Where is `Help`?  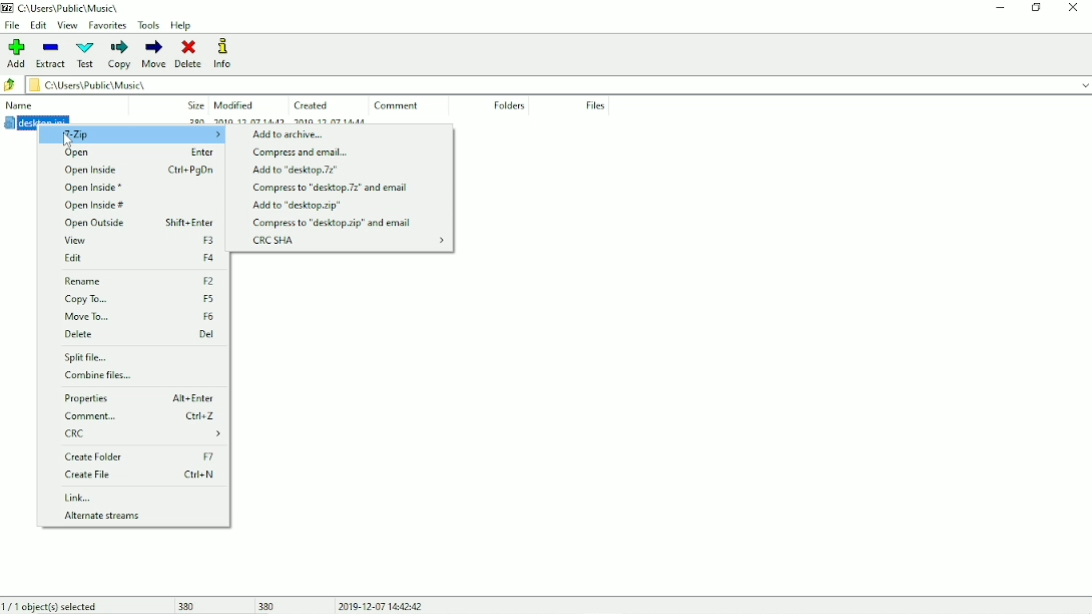 Help is located at coordinates (183, 26).